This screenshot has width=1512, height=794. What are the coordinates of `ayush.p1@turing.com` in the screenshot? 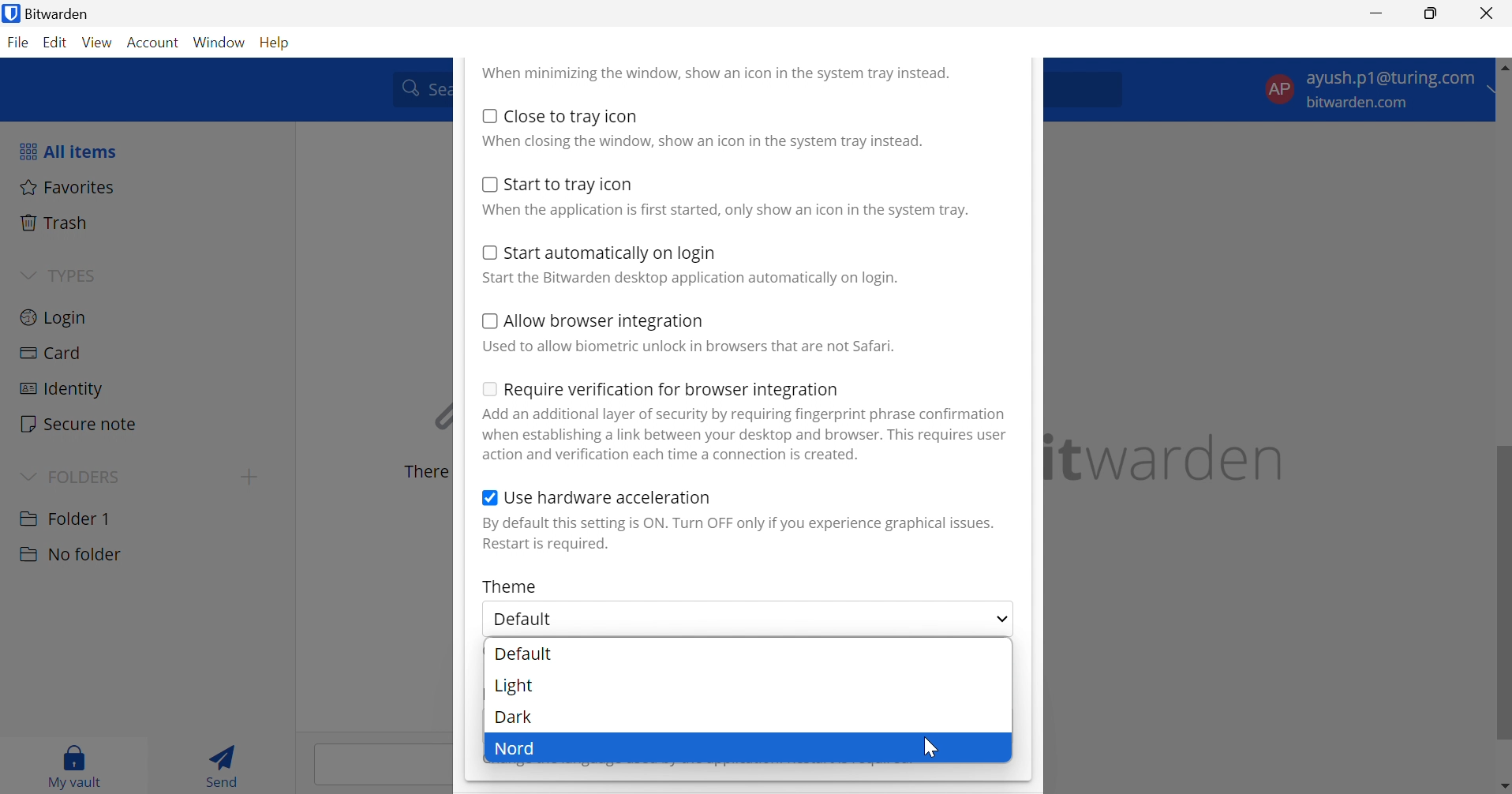 It's located at (1390, 81).